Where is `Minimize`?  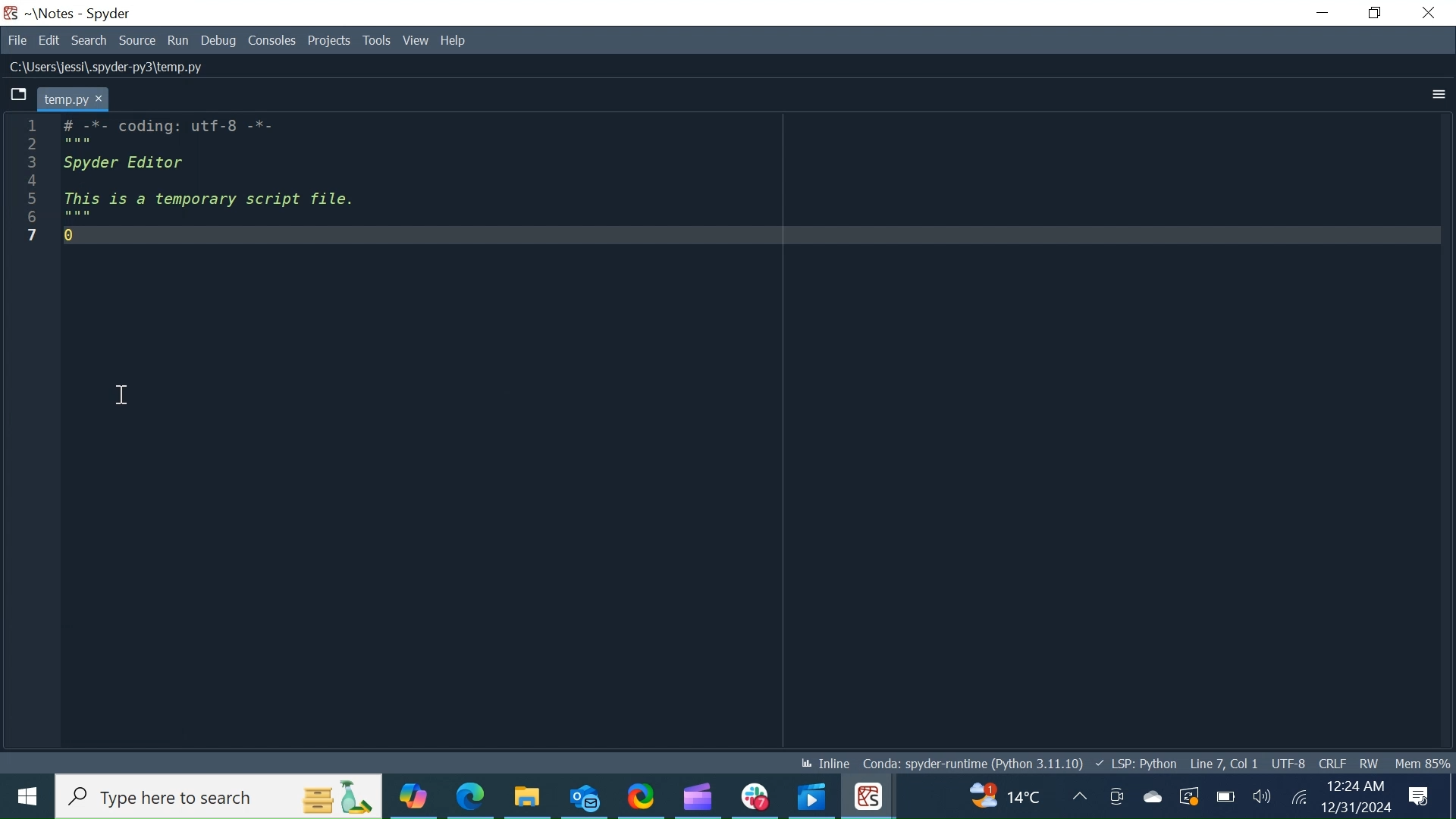 Minimize is located at coordinates (1324, 13).